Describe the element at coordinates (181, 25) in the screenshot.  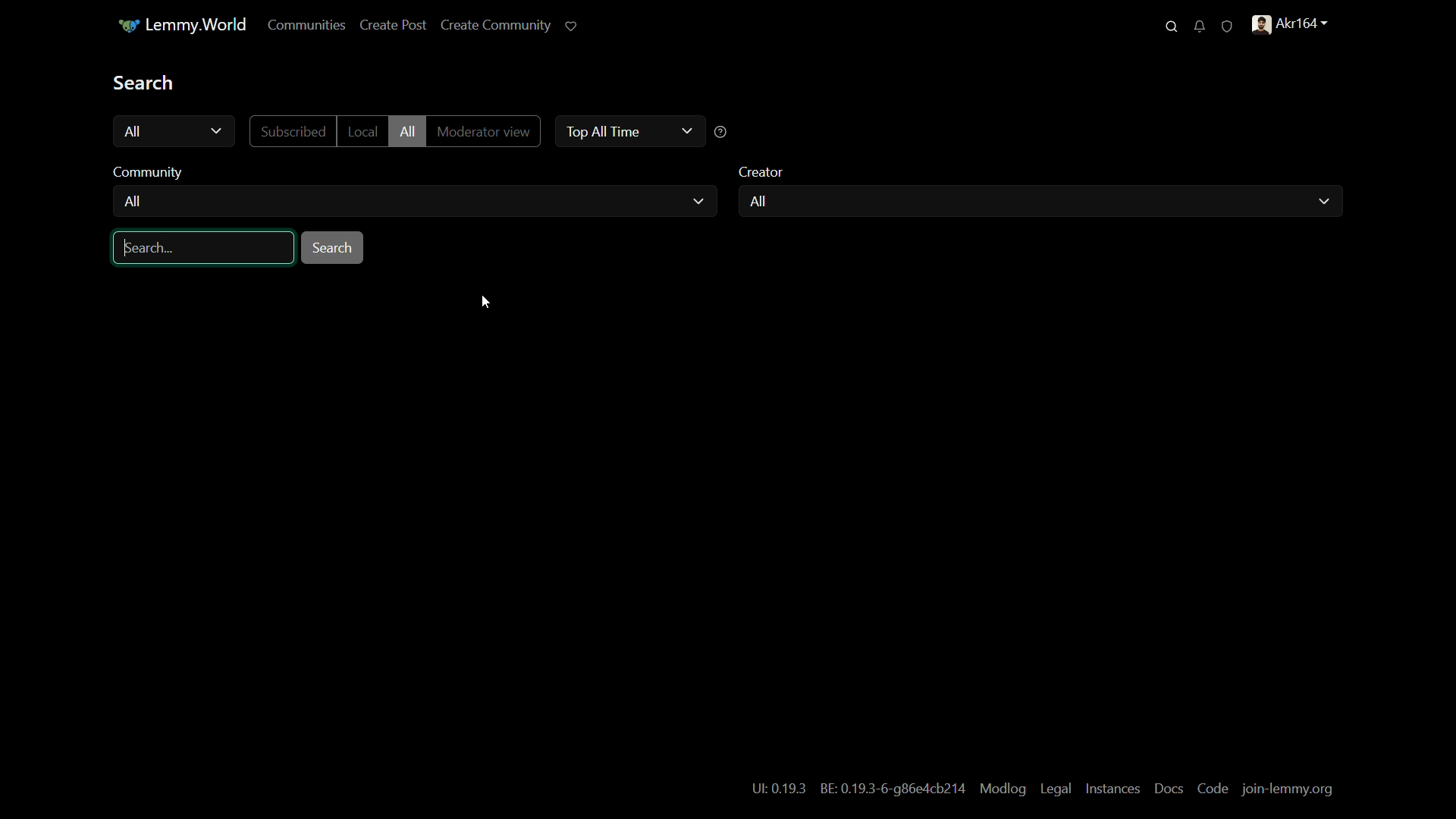
I see `server name` at that location.